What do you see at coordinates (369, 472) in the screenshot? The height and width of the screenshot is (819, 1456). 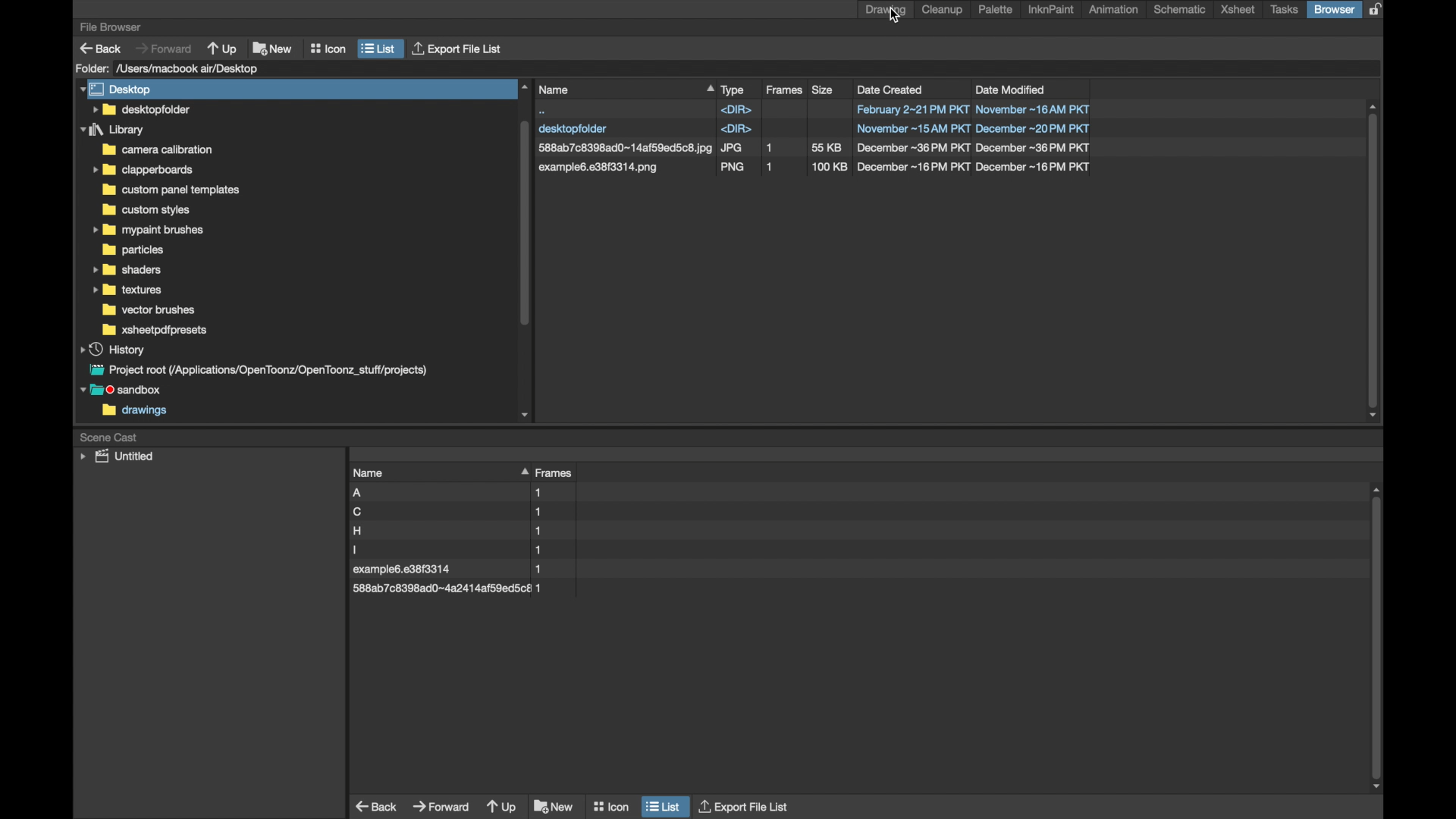 I see `name` at bounding box center [369, 472].